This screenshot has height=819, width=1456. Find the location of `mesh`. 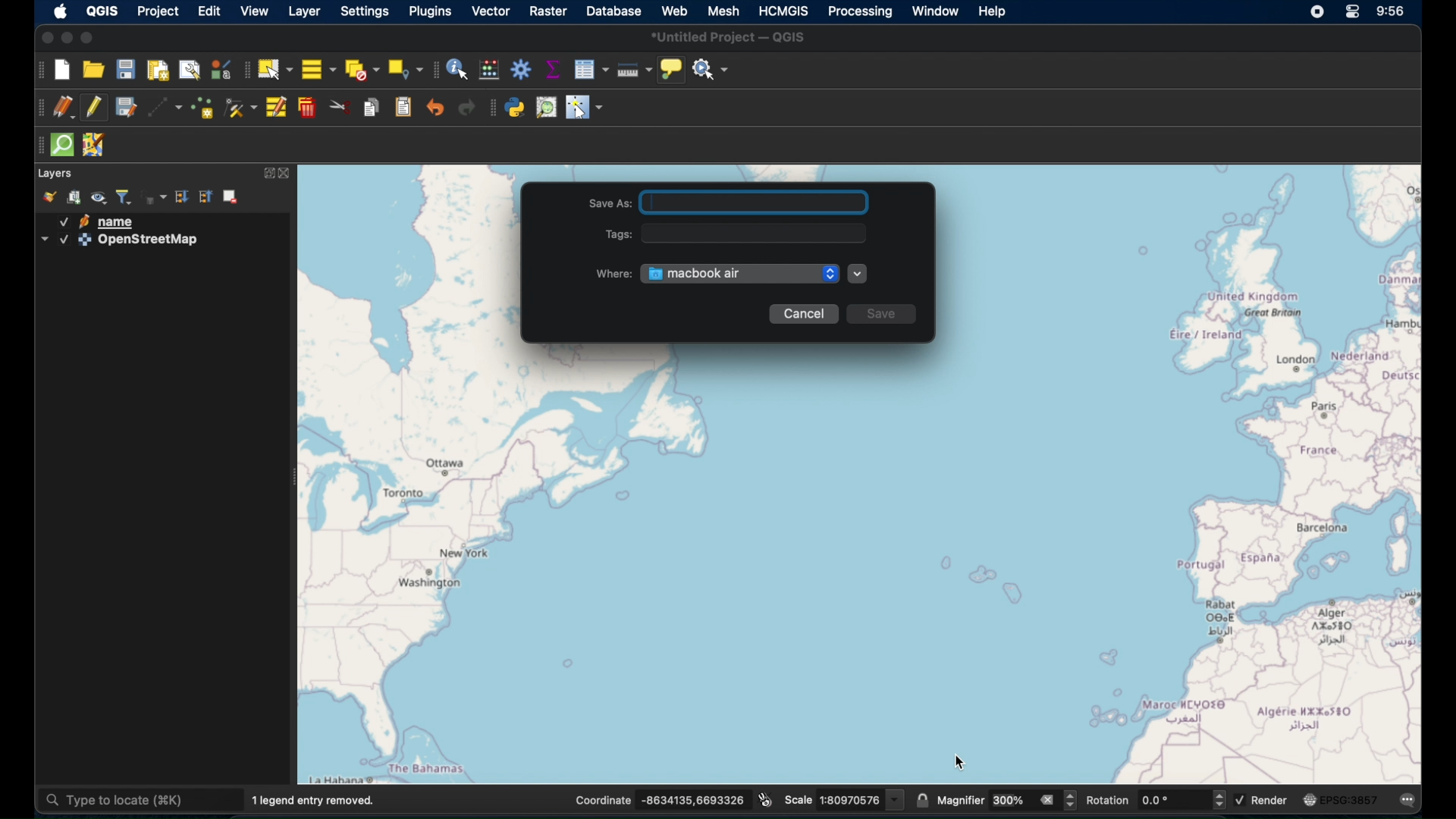

mesh is located at coordinates (723, 11).